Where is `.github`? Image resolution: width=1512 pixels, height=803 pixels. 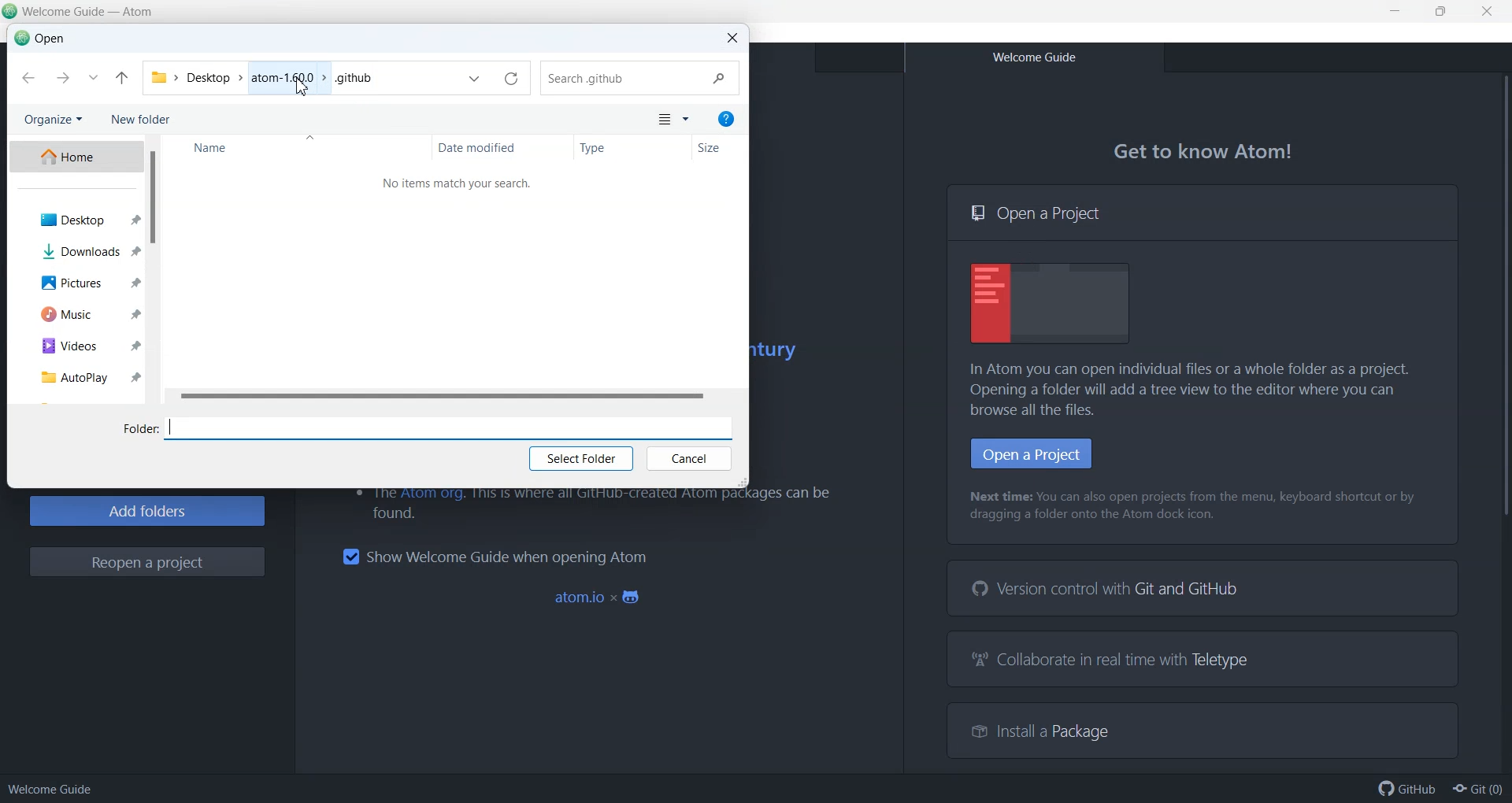 .github is located at coordinates (354, 76).